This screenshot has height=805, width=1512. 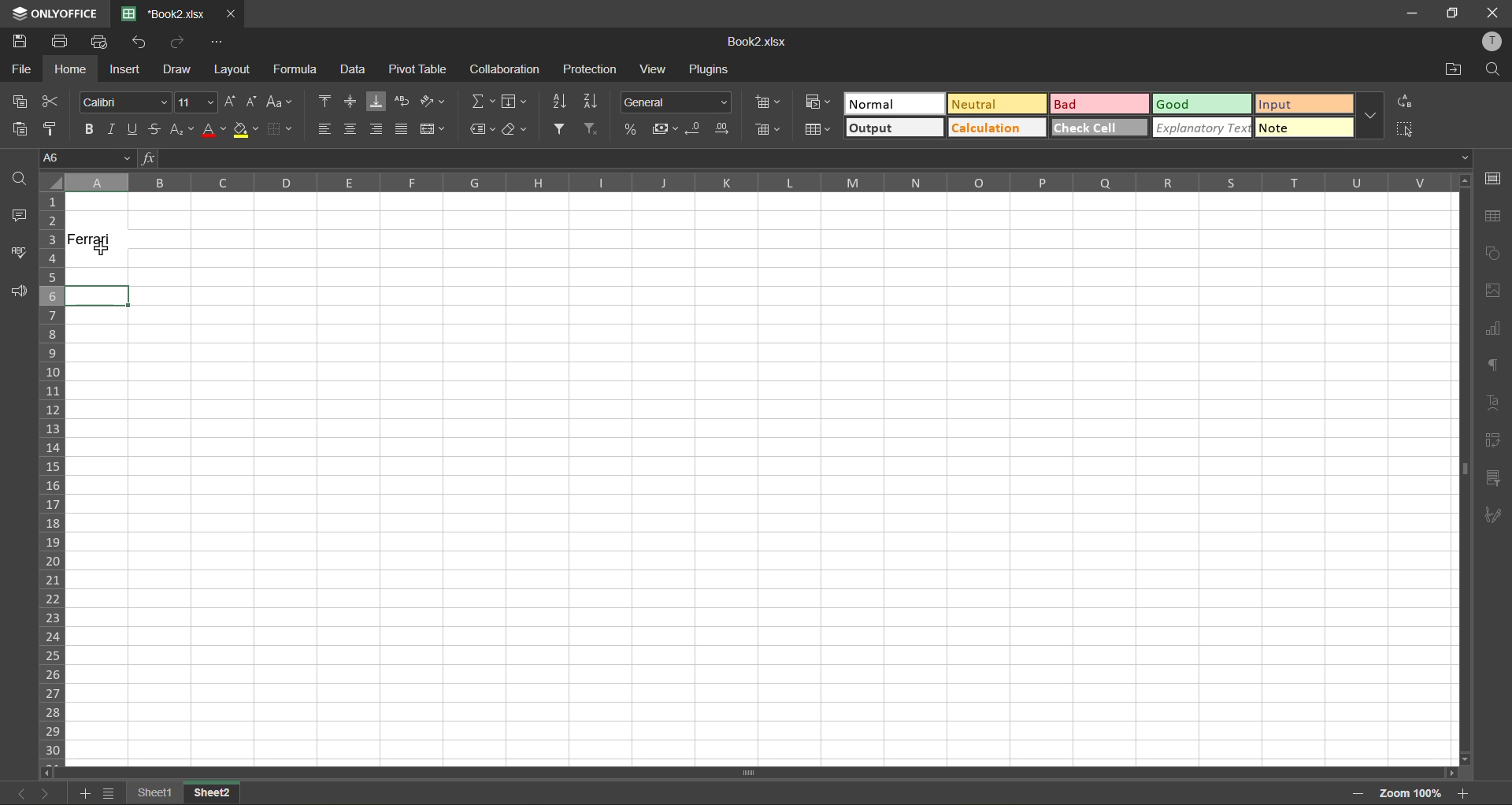 I want to click on cursor, so click(x=101, y=254).